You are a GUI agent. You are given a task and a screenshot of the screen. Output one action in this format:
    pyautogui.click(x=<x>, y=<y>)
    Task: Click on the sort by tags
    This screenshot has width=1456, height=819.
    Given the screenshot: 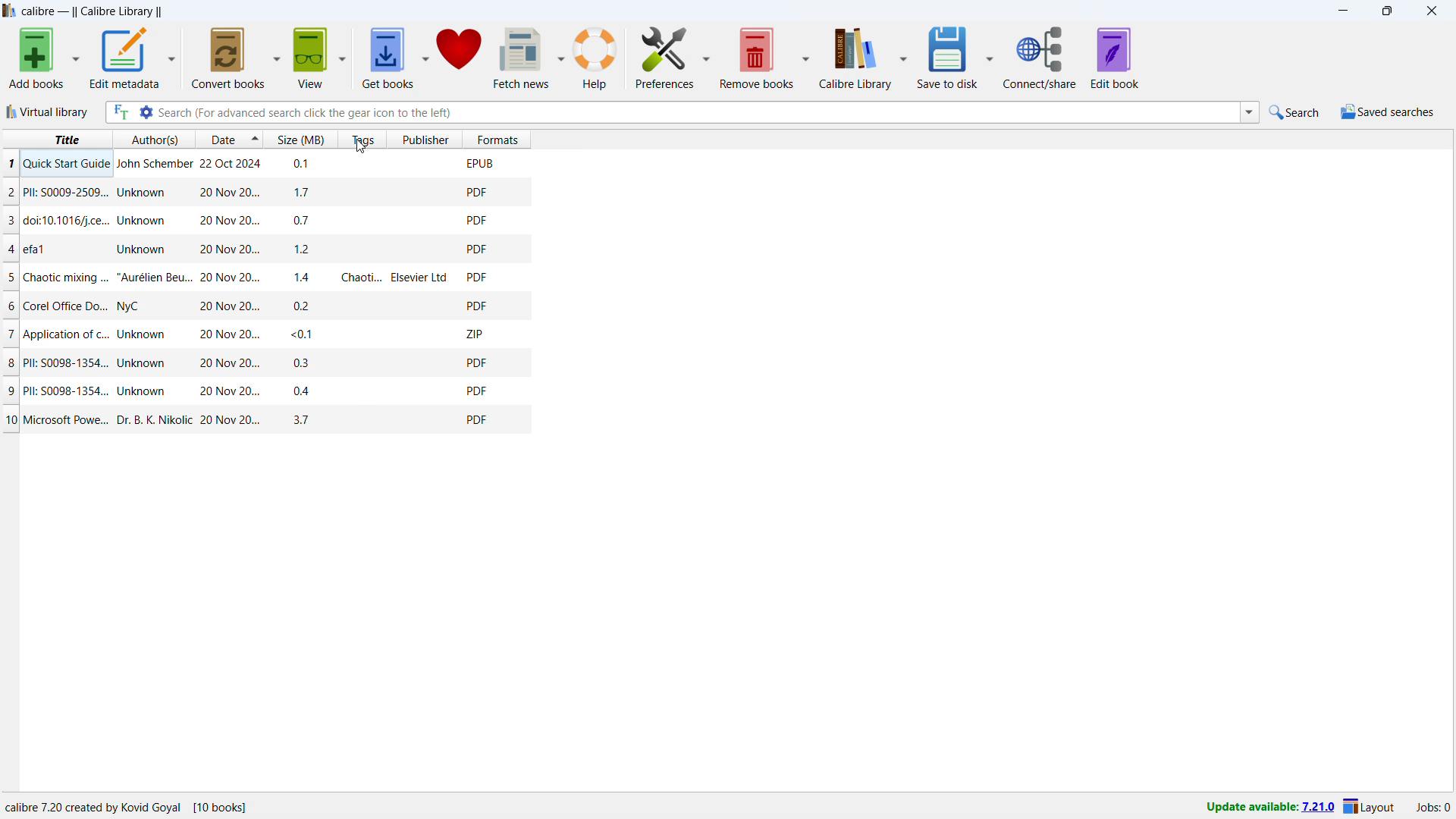 What is the action you would take?
    pyautogui.click(x=364, y=139)
    